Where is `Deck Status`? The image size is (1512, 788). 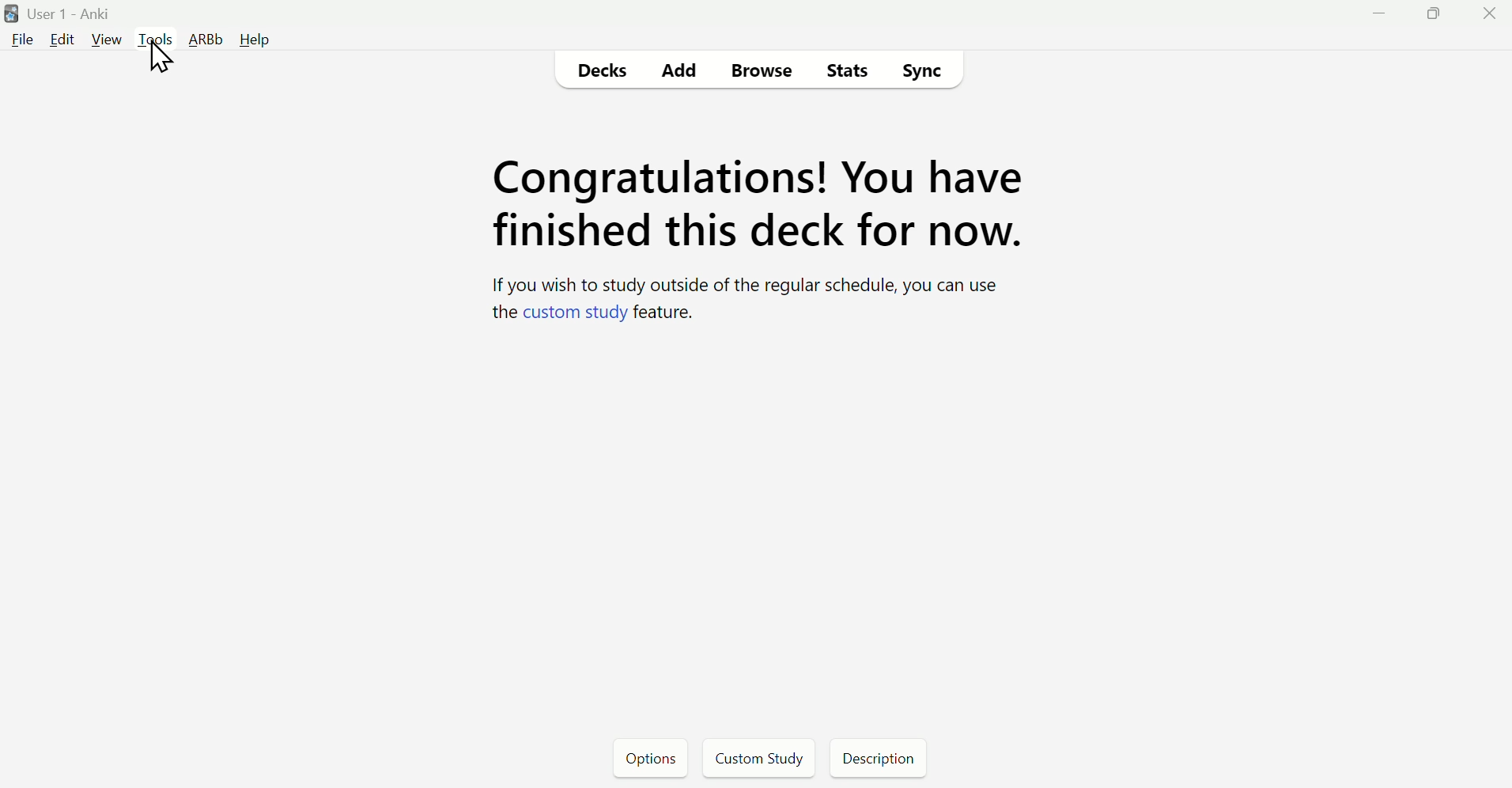
Deck Status is located at coordinates (752, 244).